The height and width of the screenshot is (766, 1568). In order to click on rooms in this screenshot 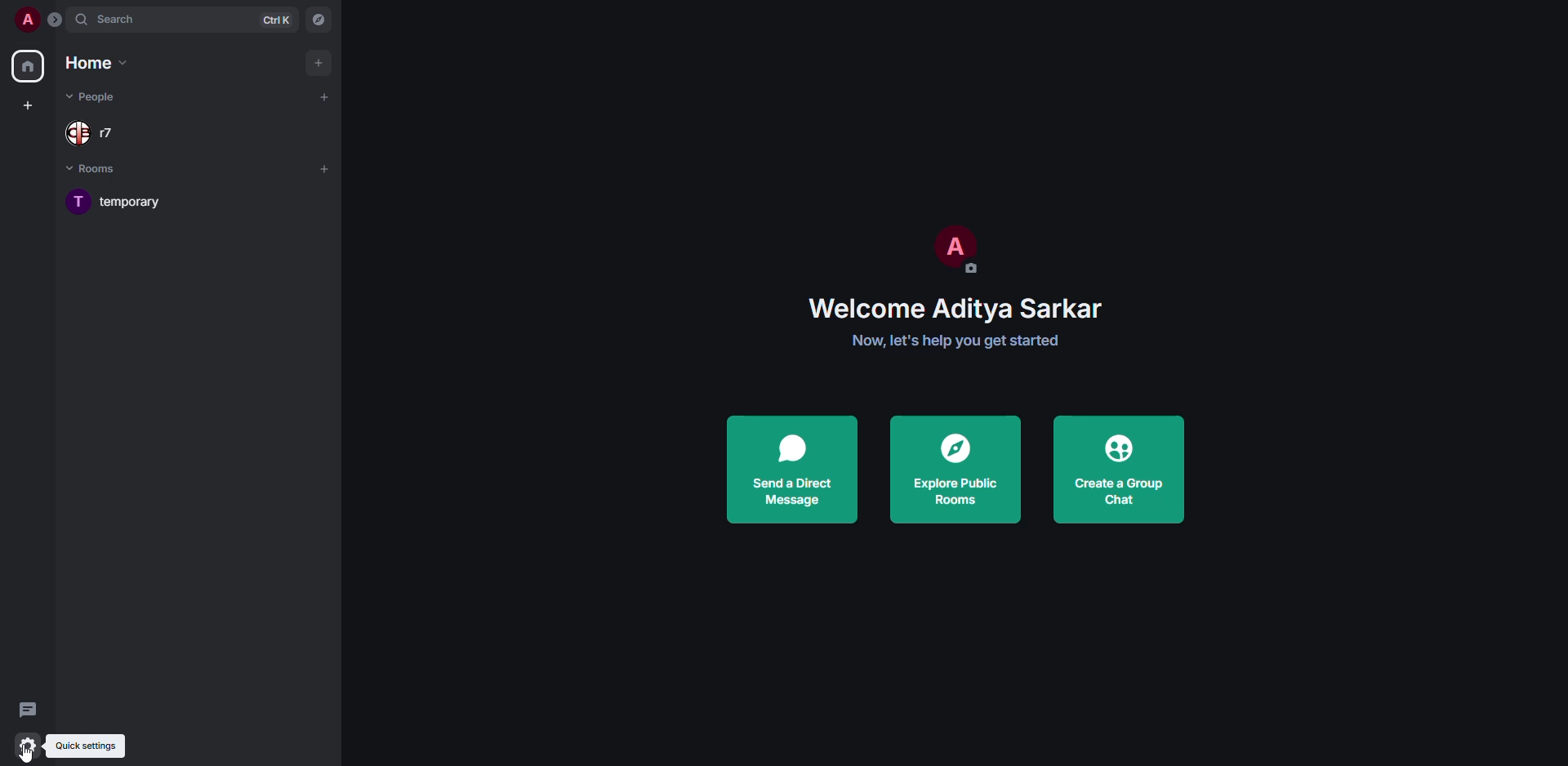, I will do `click(101, 170)`.